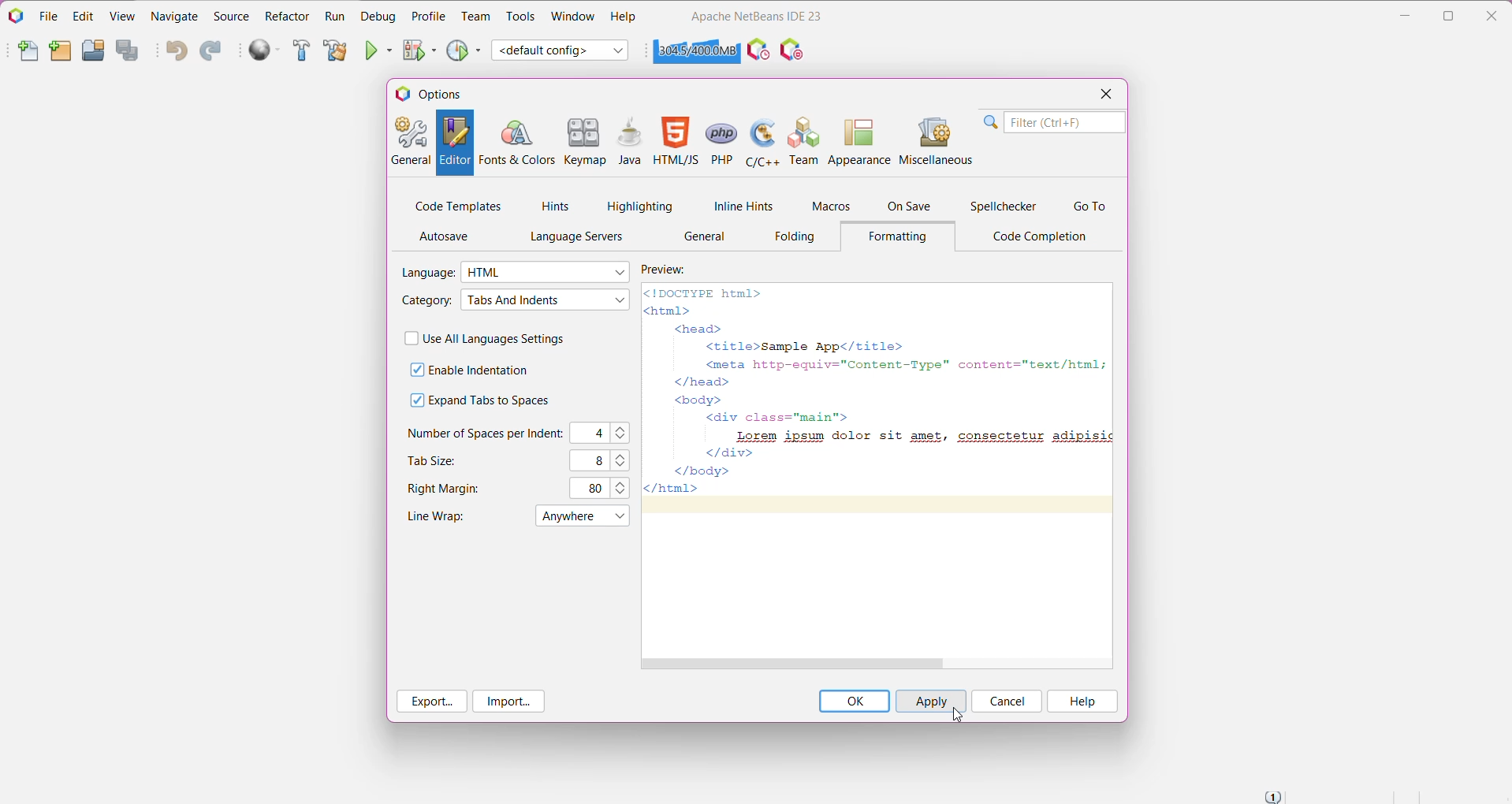 The image size is (1512, 804). What do you see at coordinates (696, 50) in the screenshot?
I see `Click to force garbage collection` at bounding box center [696, 50].